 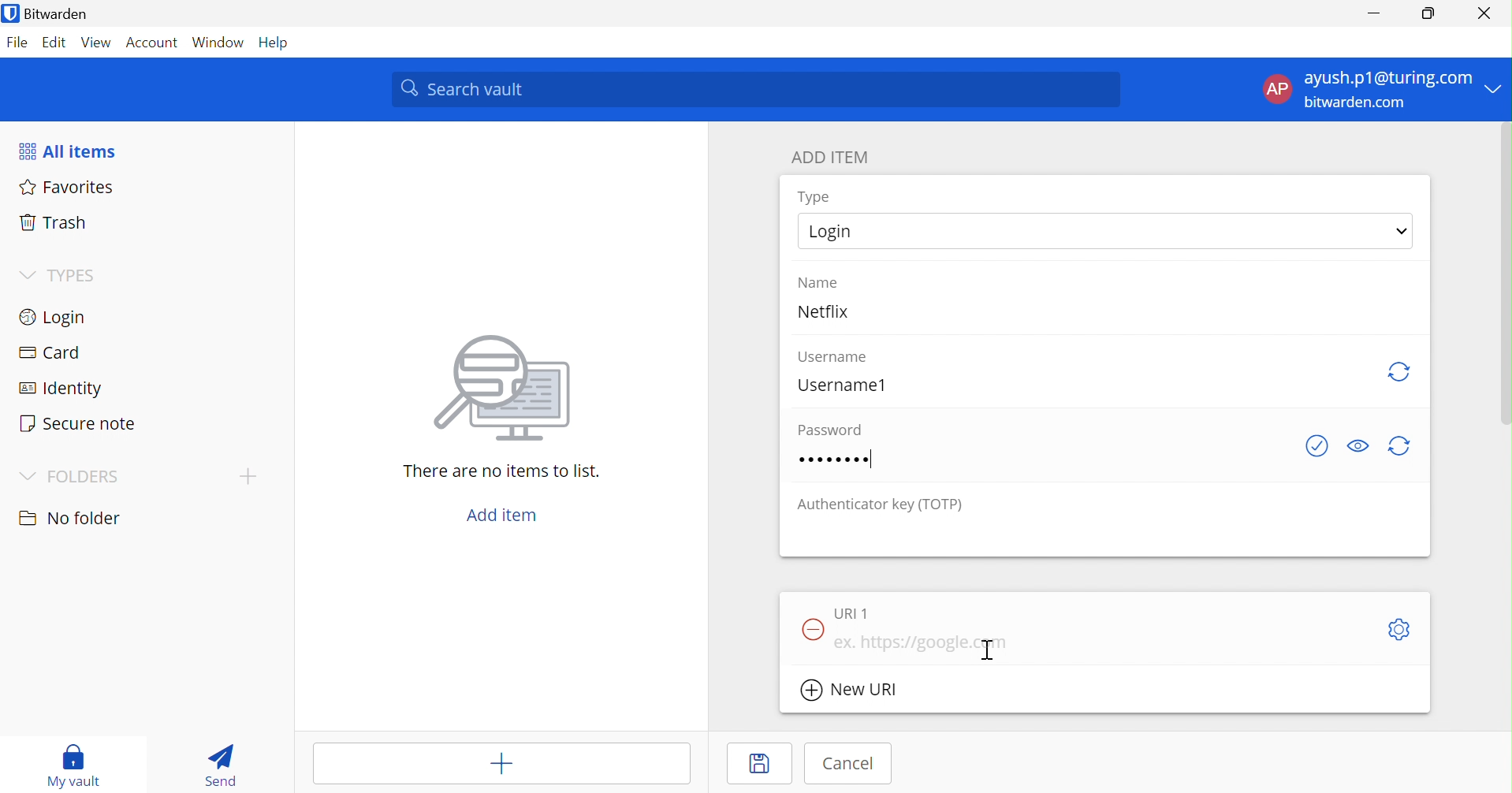 I want to click on Help, so click(x=275, y=43).